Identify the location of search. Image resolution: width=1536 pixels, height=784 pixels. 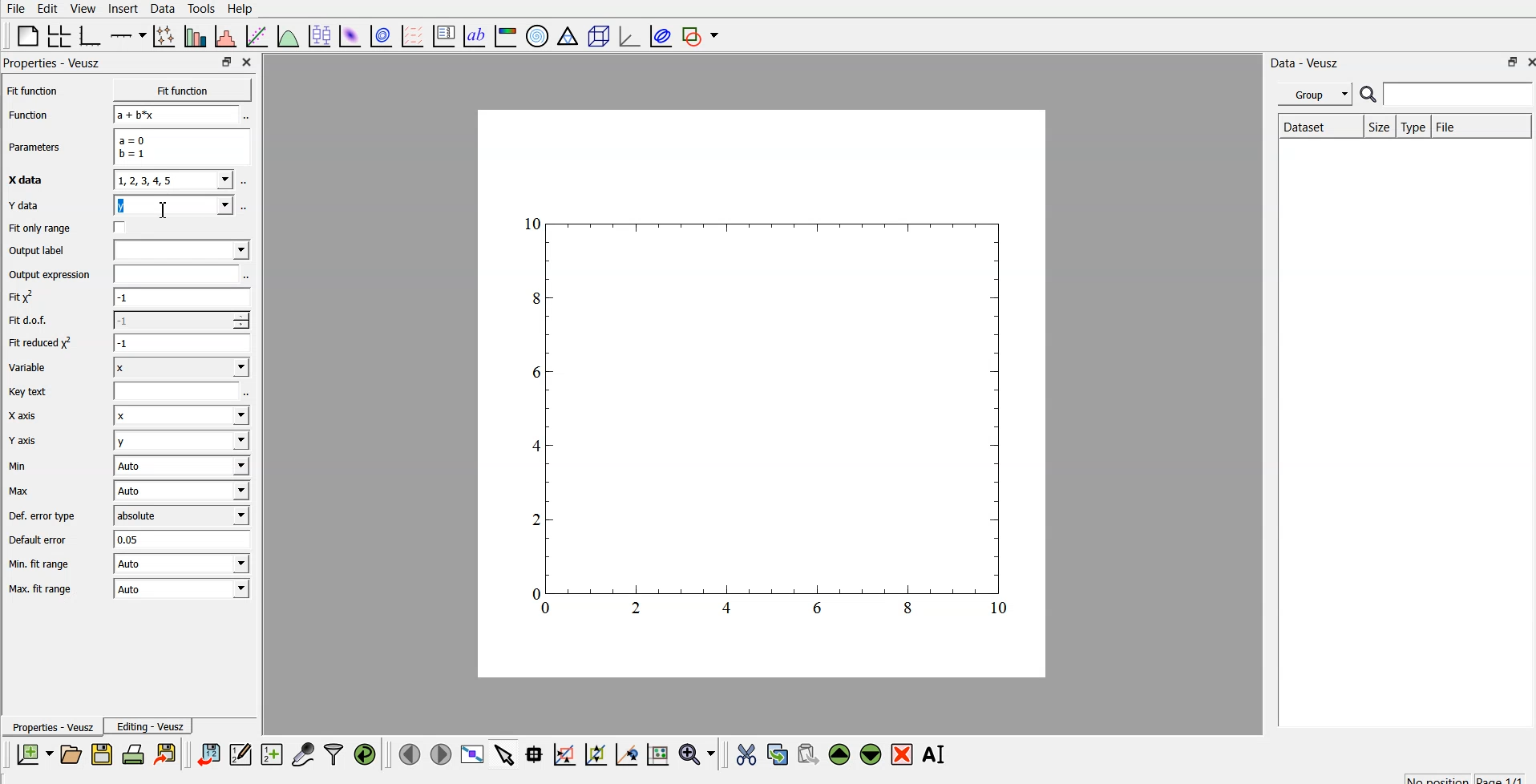
(1368, 95).